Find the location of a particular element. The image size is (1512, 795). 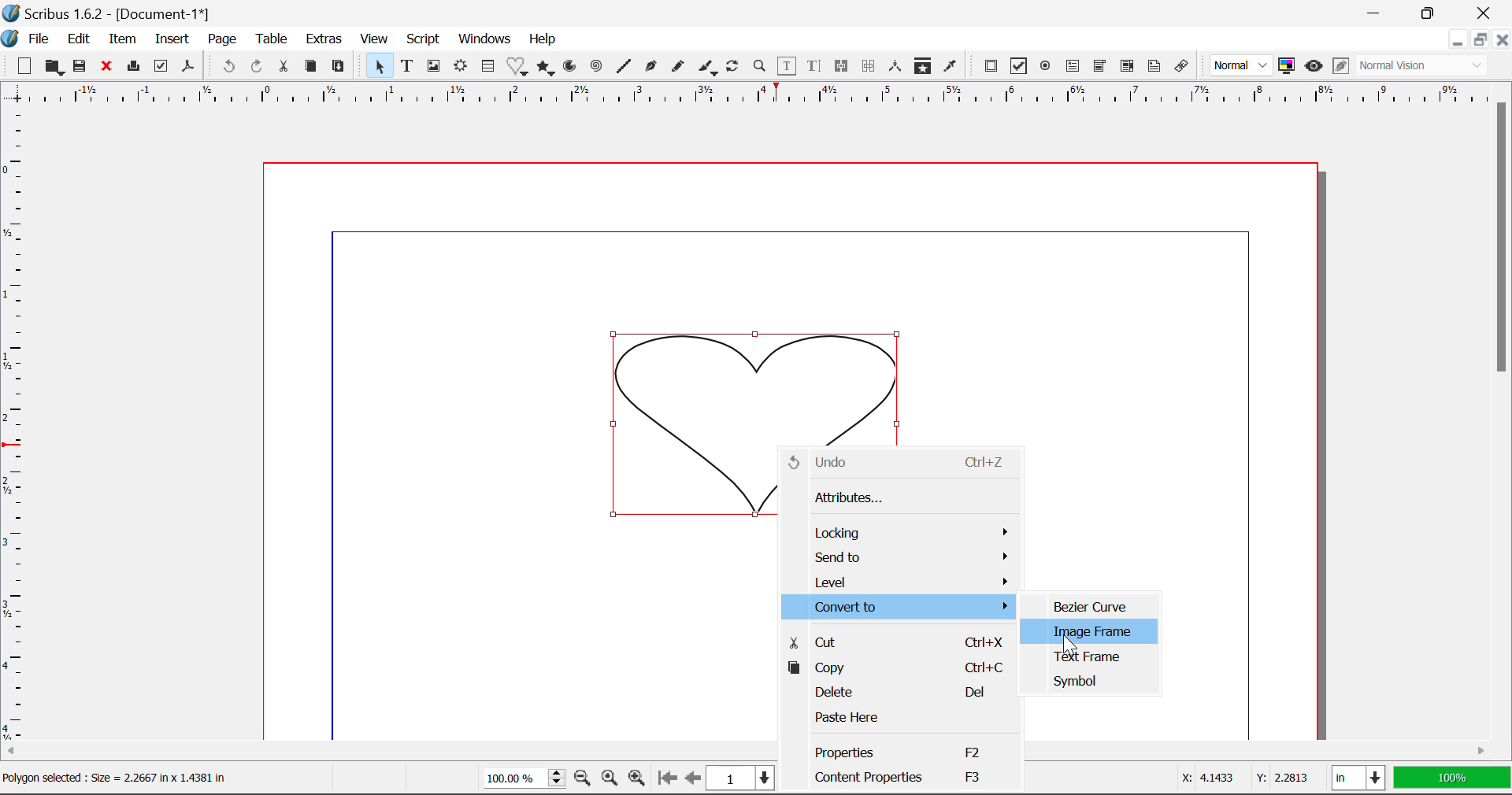

Measurement Units is located at coordinates (1358, 778).